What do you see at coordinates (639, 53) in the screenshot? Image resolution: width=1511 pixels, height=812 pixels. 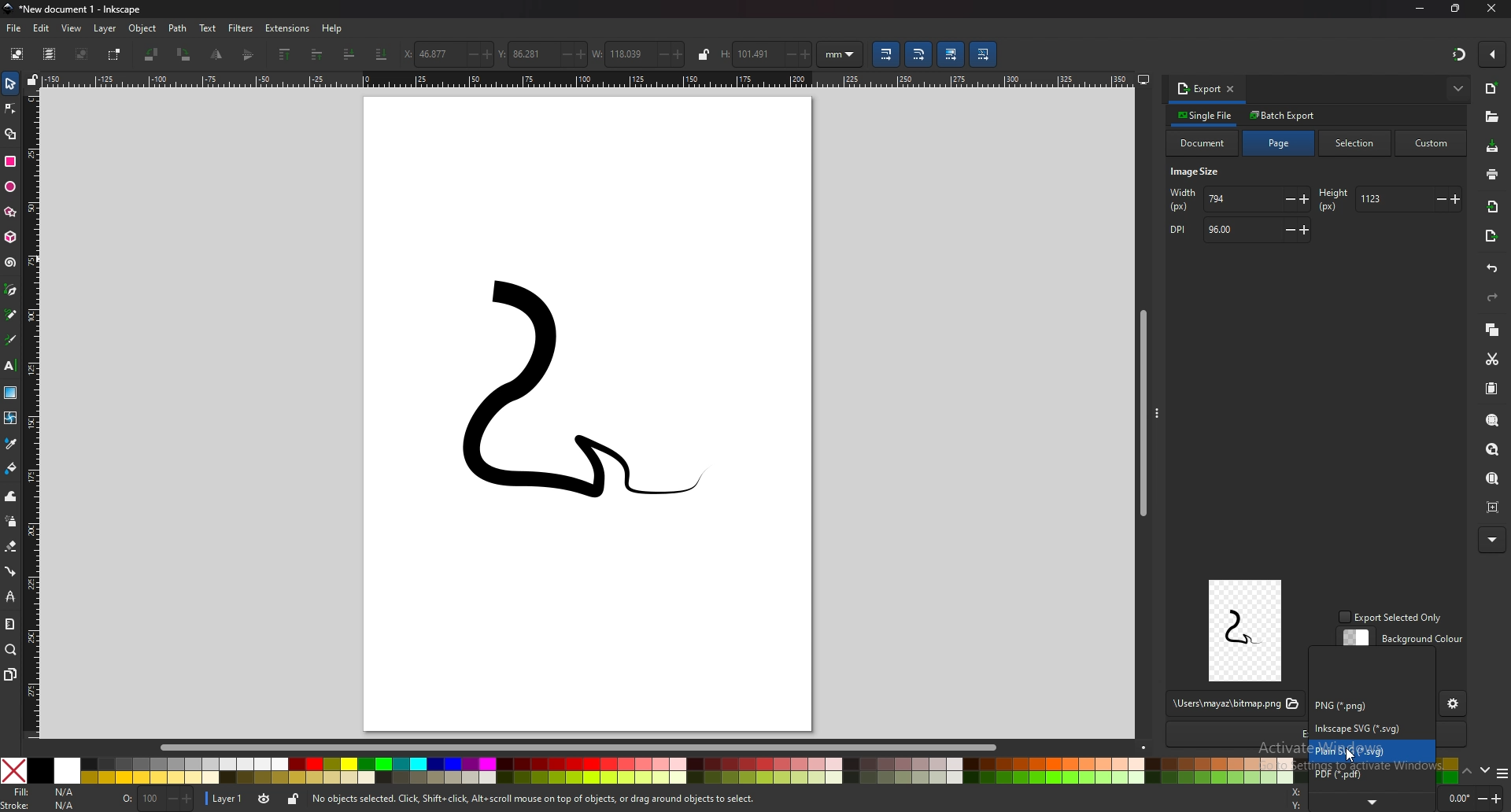 I see `width` at bounding box center [639, 53].